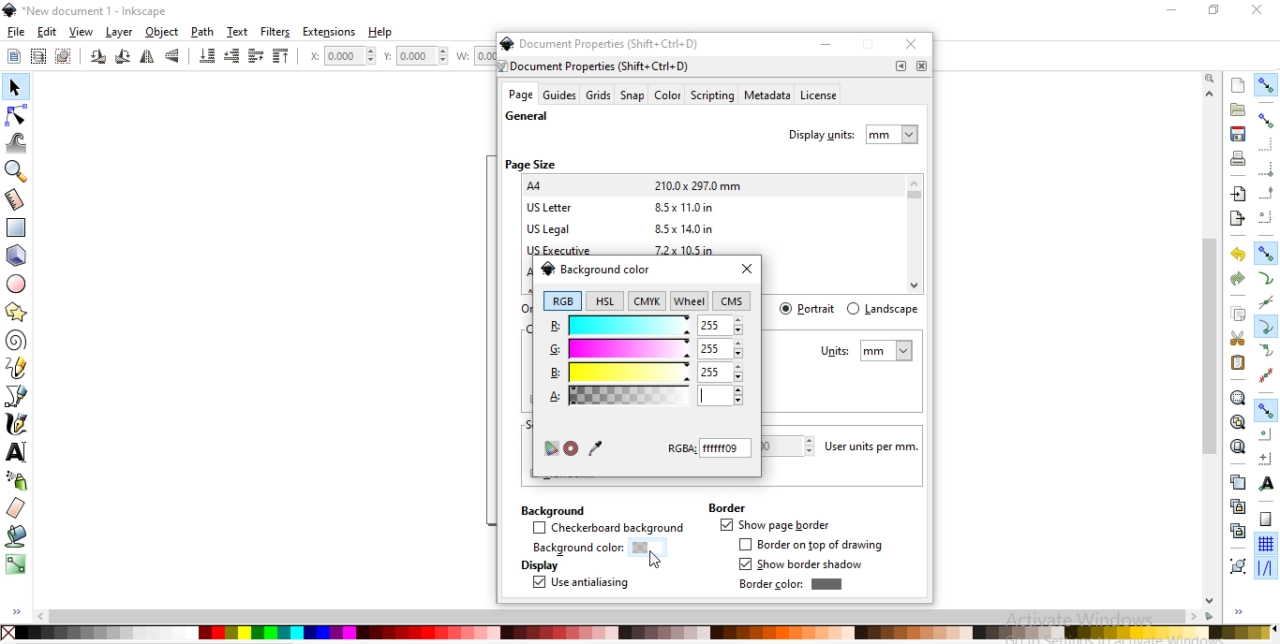  Describe the element at coordinates (34, 55) in the screenshot. I see `select all objects in all visible and unlocked layer` at that location.